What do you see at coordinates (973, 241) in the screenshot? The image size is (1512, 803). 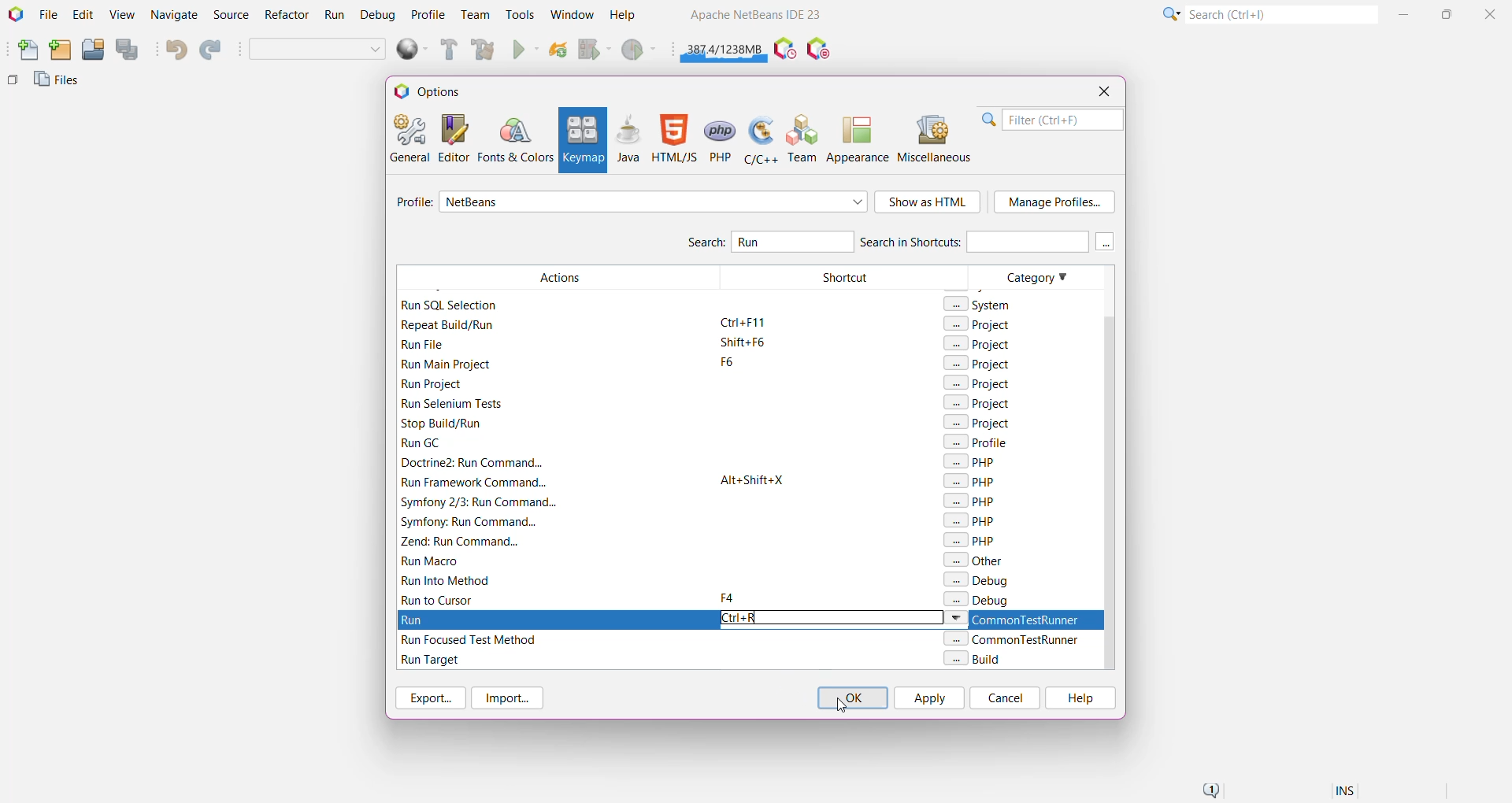 I see `Search in Shortcuts` at bounding box center [973, 241].